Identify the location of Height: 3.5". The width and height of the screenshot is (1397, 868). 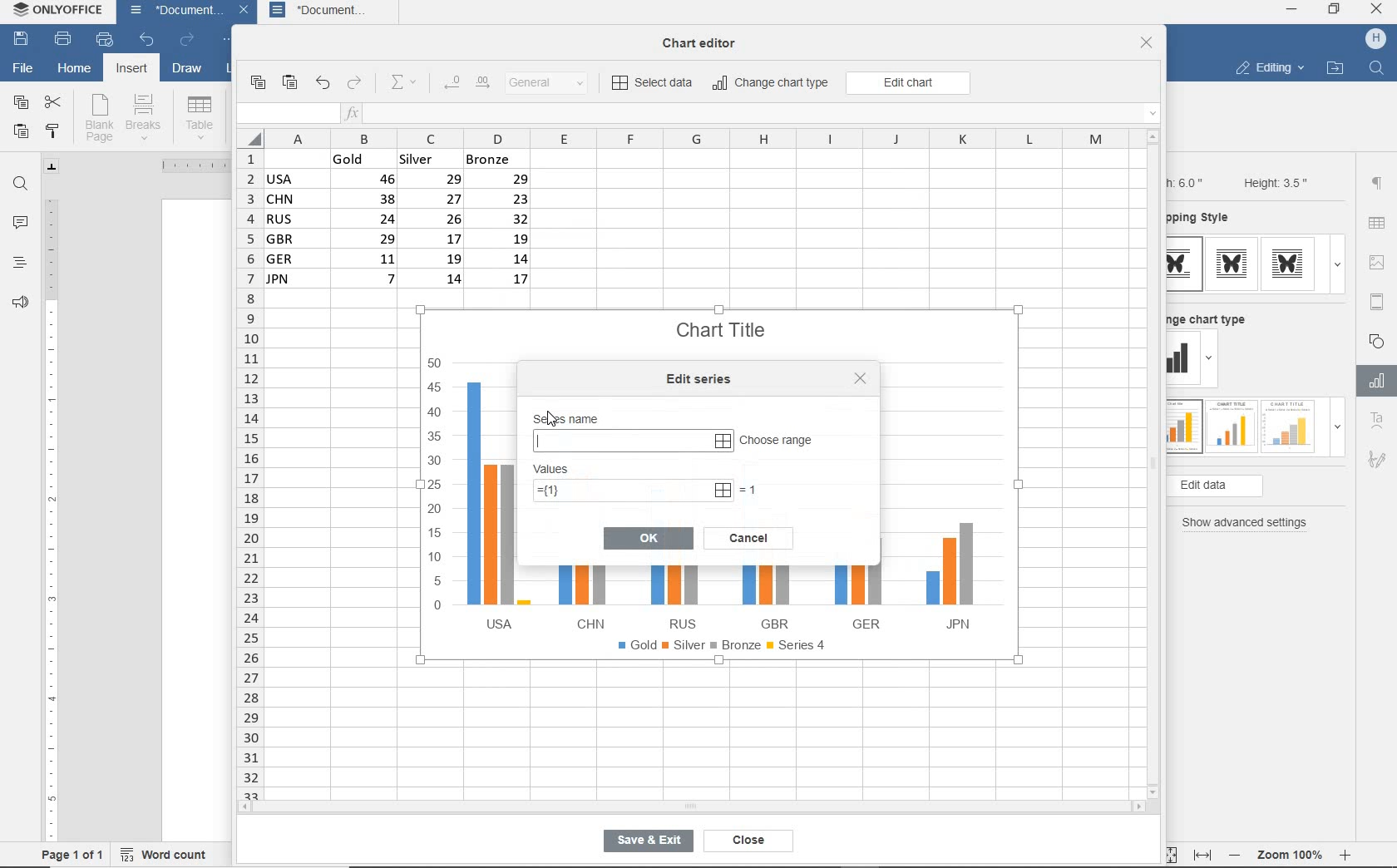
(1273, 182).